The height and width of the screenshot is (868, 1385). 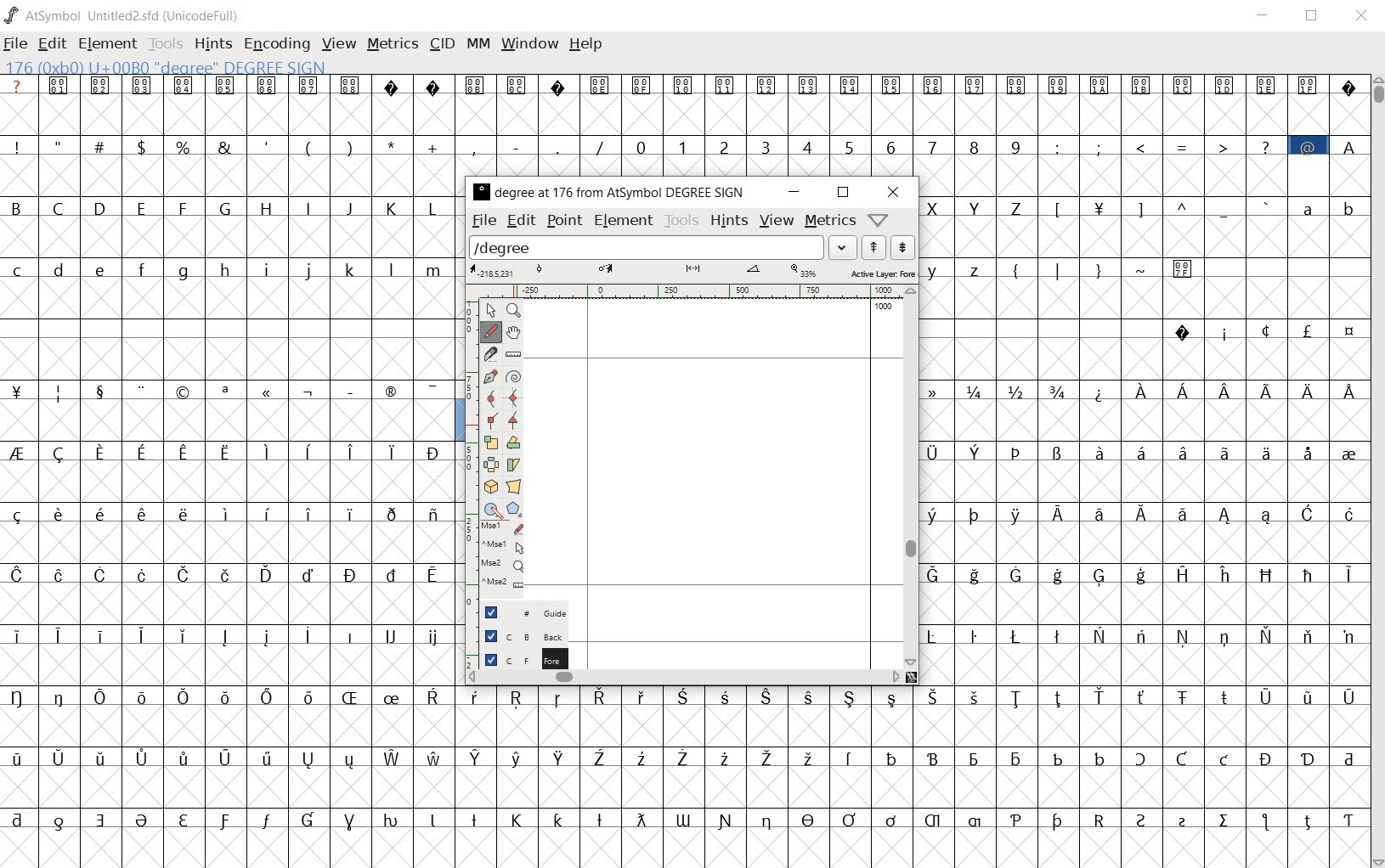 I want to click on empty glyph slot, so click(x=681, y=847).